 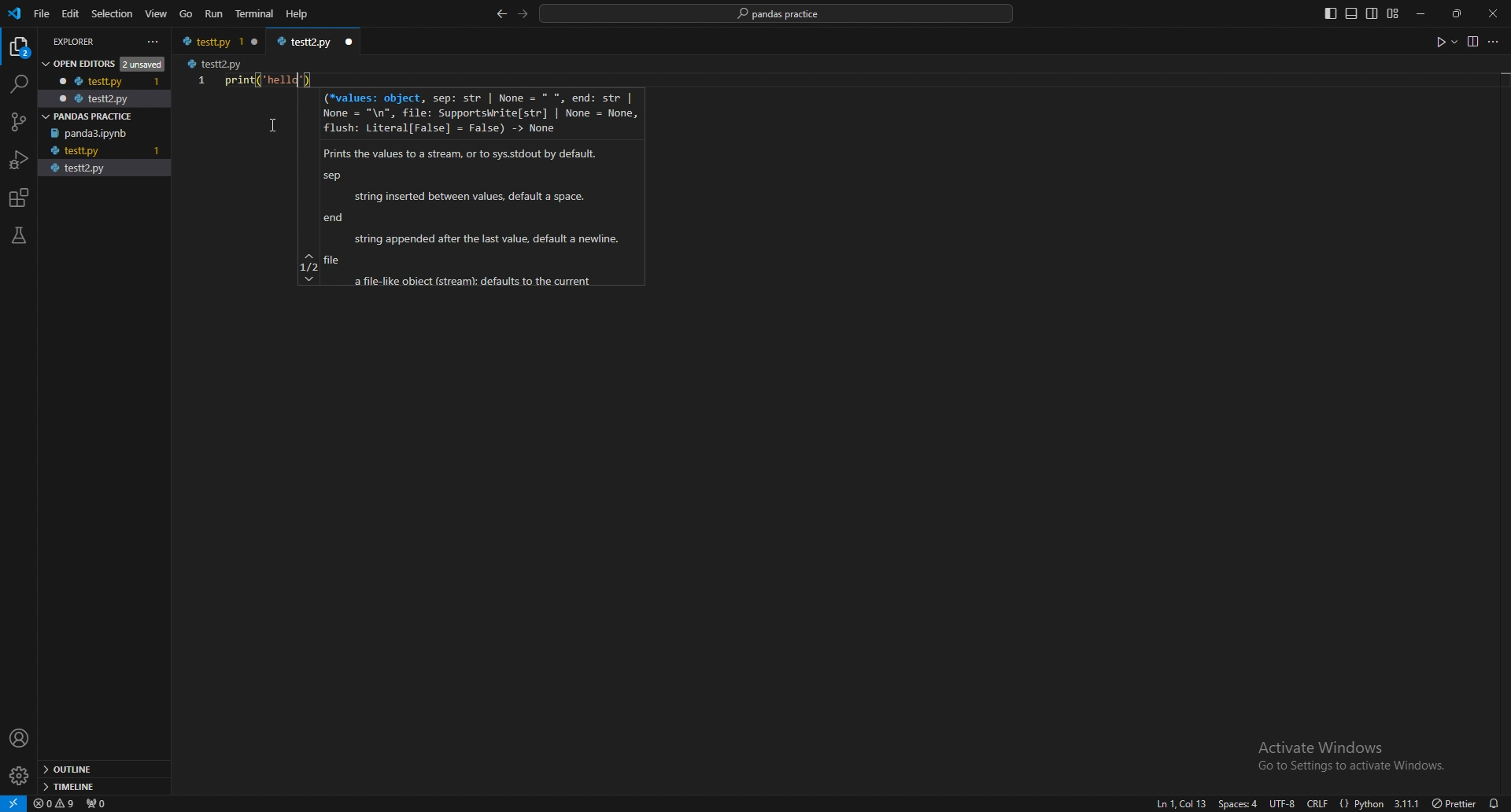 I want to click on run, so click(x=216, y=14).